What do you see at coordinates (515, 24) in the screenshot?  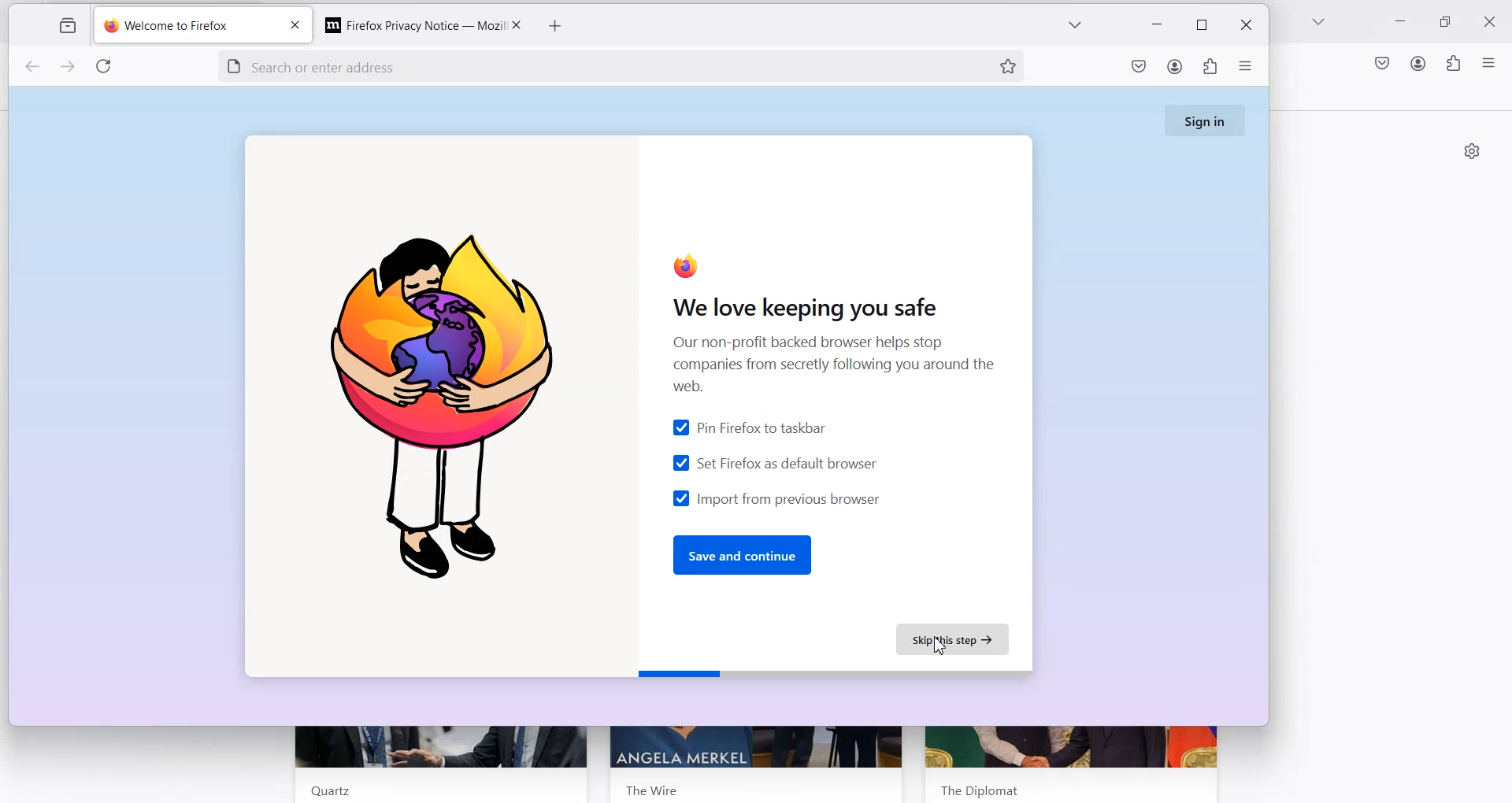 I see `Close` at bounding box center [515, 24].